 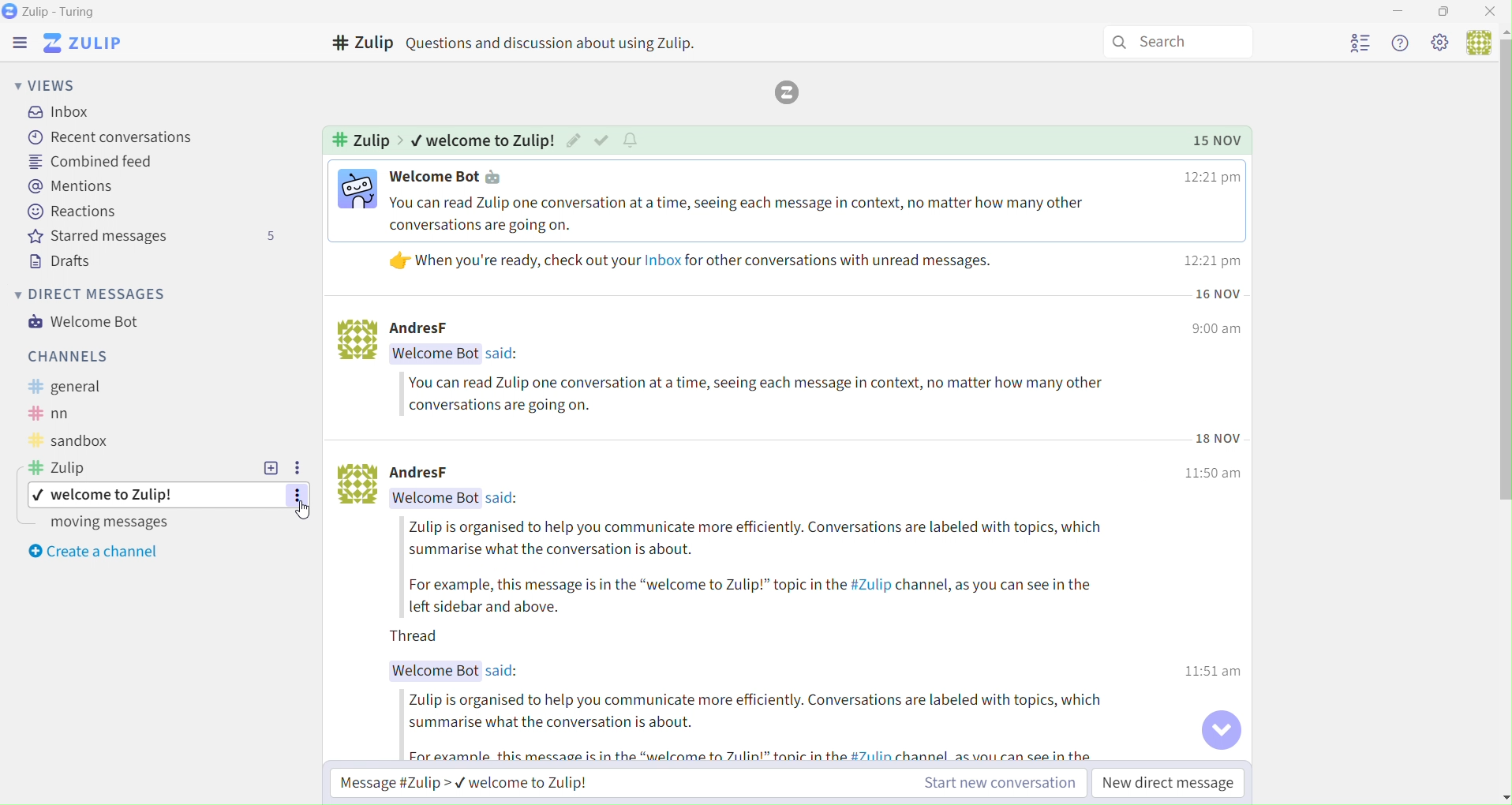 What do you see at coordinates (1403, 45) in the screenshot?
I see `Help` at bounding box center [1403, 45].